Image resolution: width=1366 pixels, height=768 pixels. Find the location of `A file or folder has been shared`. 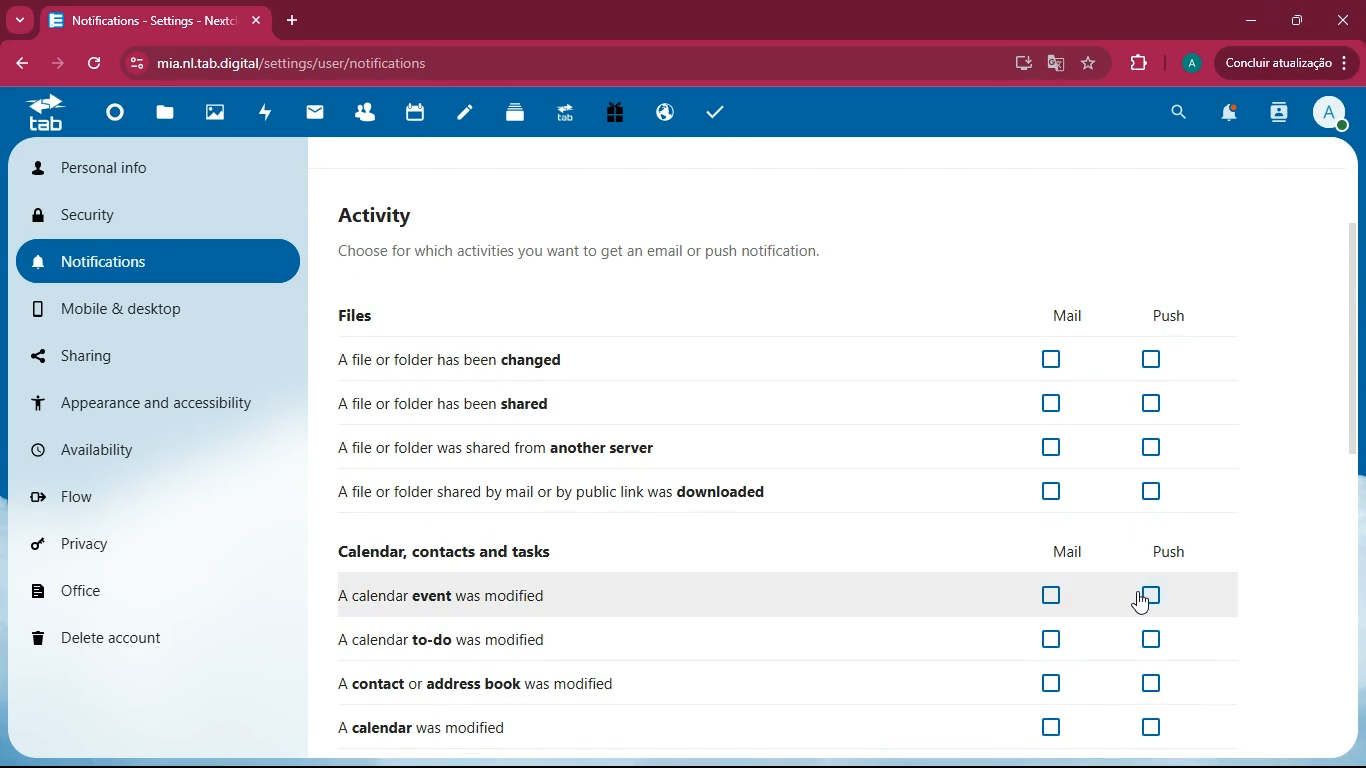

A file or folder has been shared is located at coordinates (441, 404).